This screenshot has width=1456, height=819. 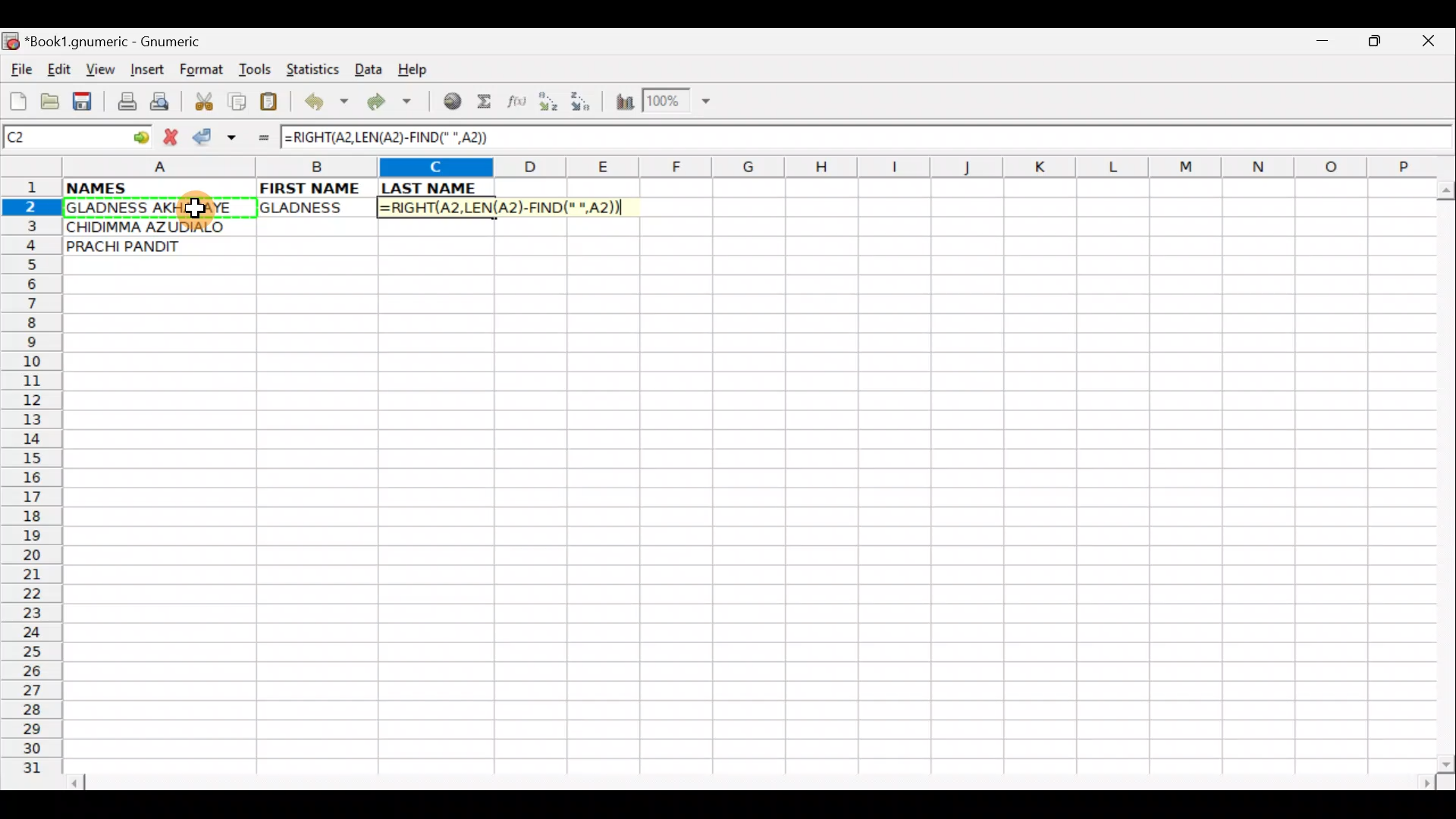 What do you see at coordinates (150, 225) in the screenshot?
I see `CHIDIMMA AZUDIALO` at bounding box center [150, 225].